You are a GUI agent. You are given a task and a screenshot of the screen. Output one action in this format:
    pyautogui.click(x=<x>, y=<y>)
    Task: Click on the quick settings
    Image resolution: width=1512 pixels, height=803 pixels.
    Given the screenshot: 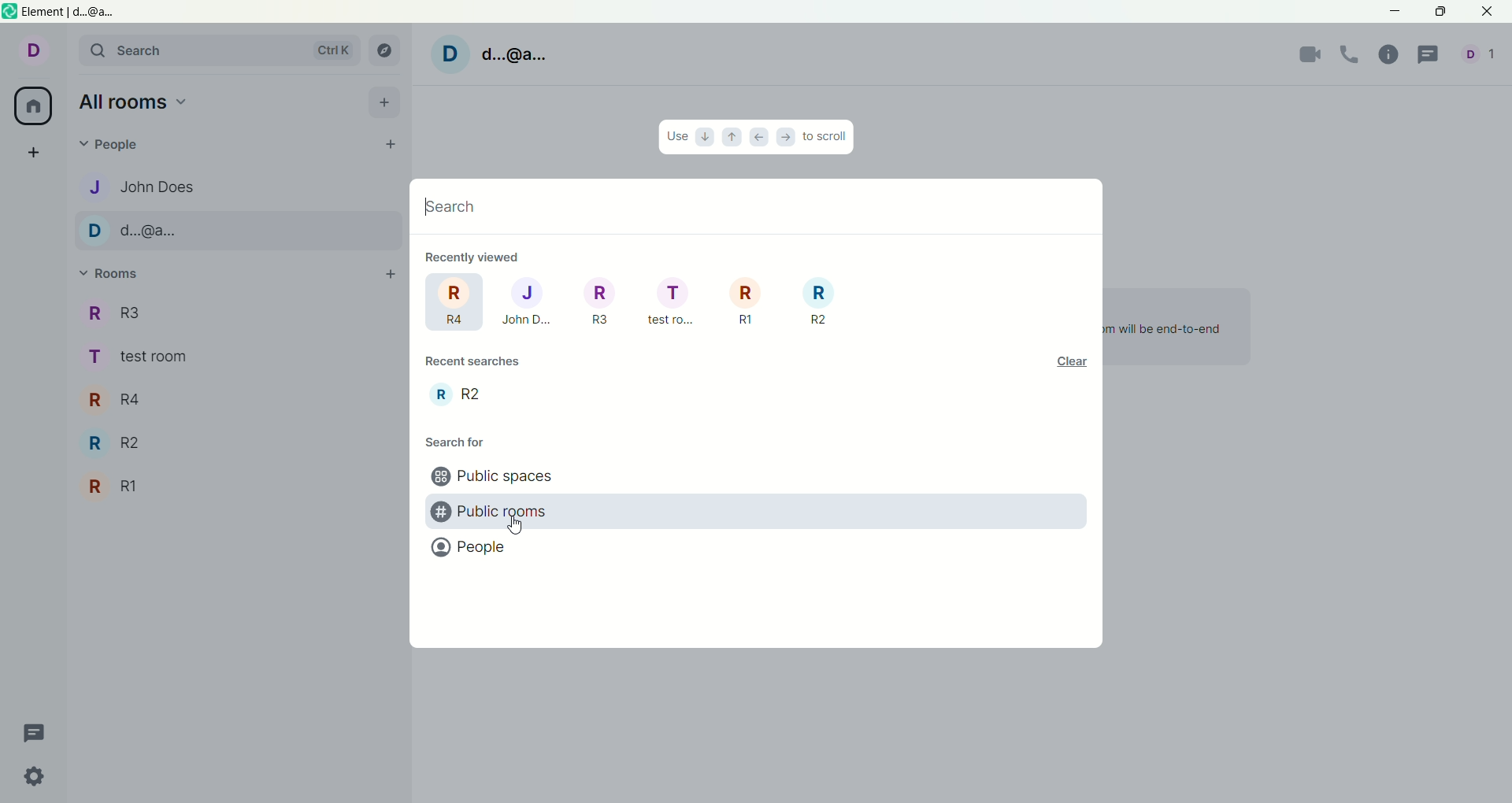 What is the action you would take?
    pyautogui.click(x=36, y=776)
    